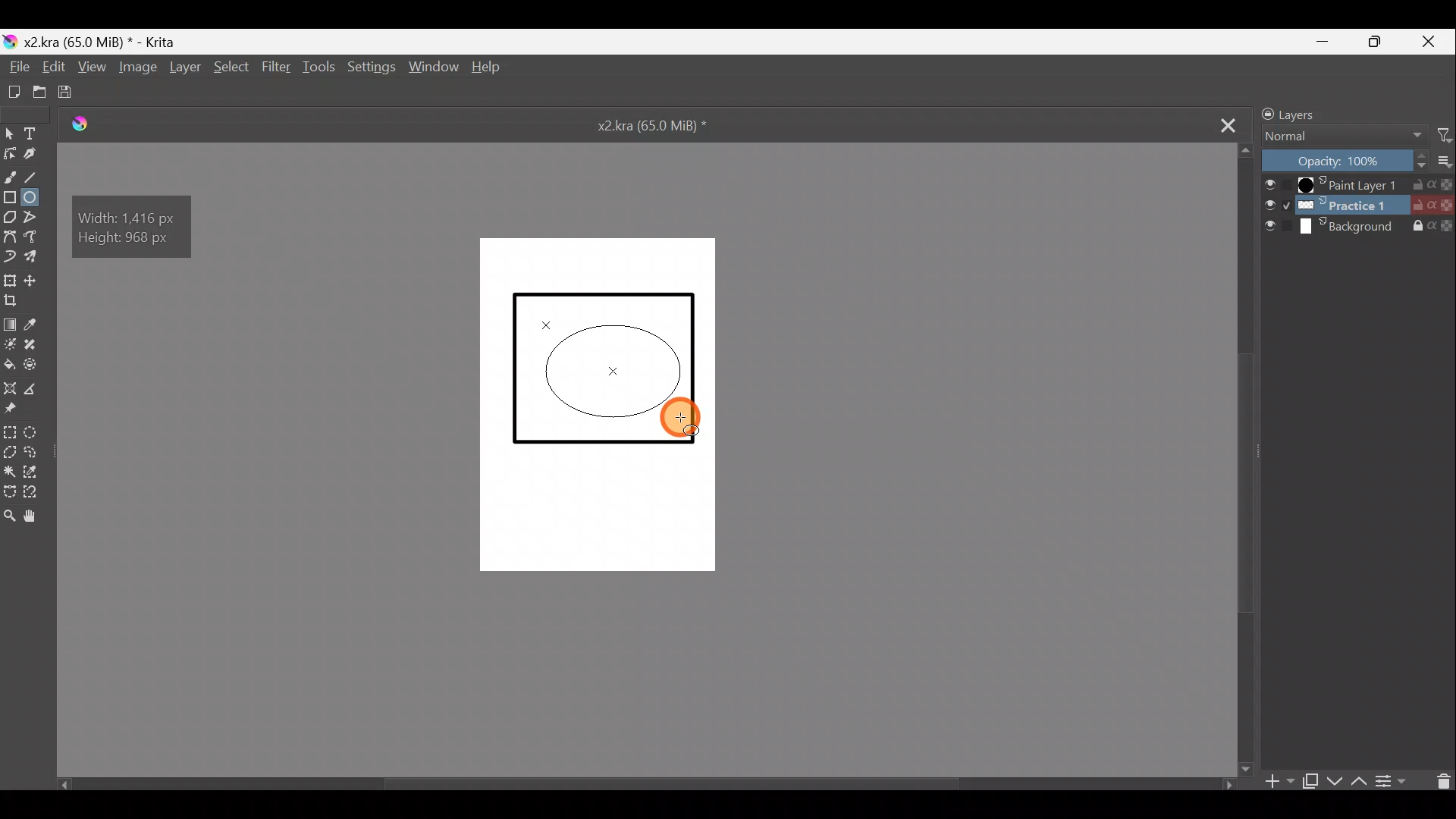 This screenshot has width=1456, height=819. What do you see at coordinates (34, 238) in the screenshot?
I see `Freehand path tool` at bounding box center [34, 238].